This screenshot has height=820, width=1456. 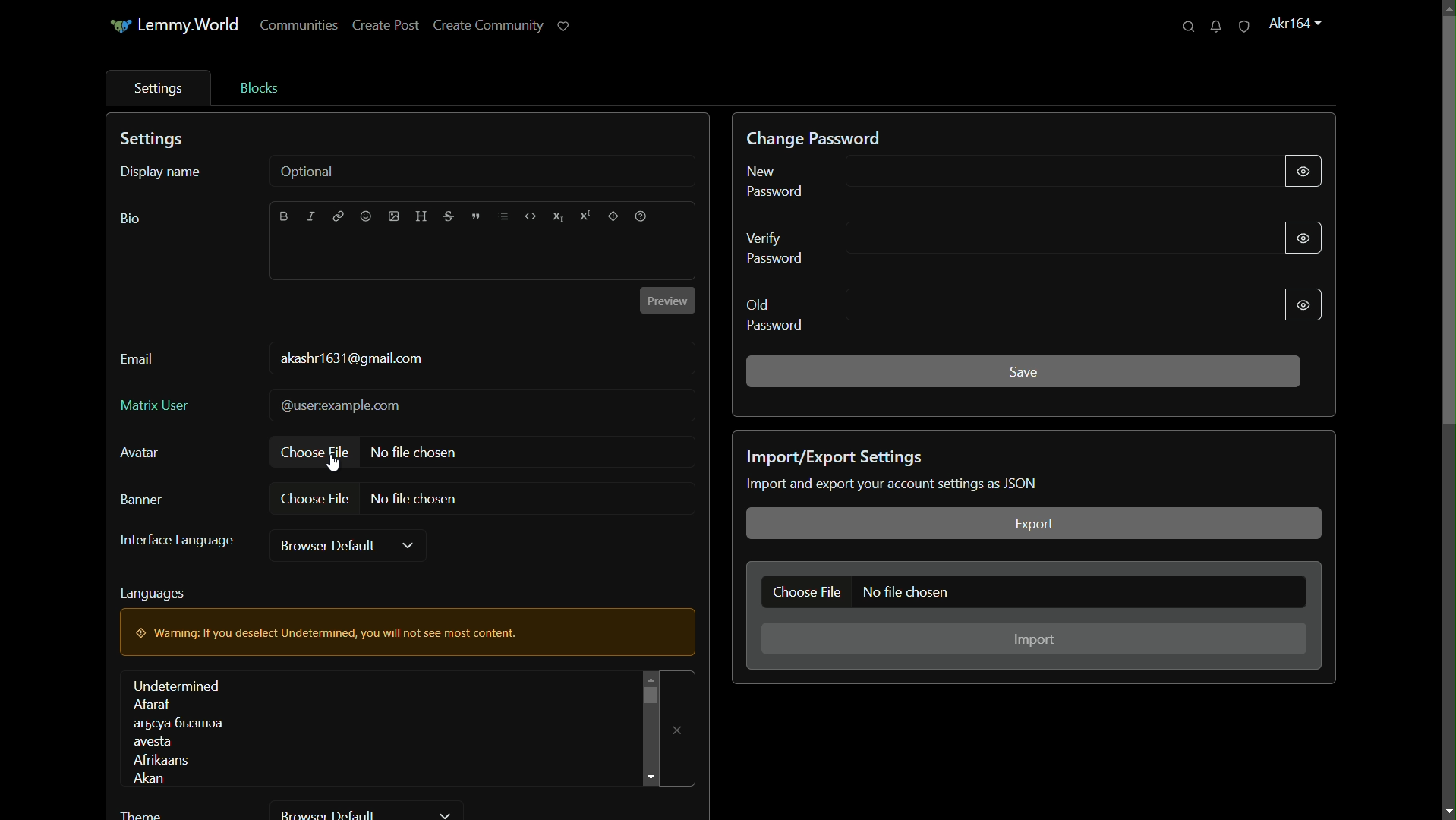 What do you see at coordinates (317, 451) in the screenshot?
I see `choose file` at bounding box center [317, 451].